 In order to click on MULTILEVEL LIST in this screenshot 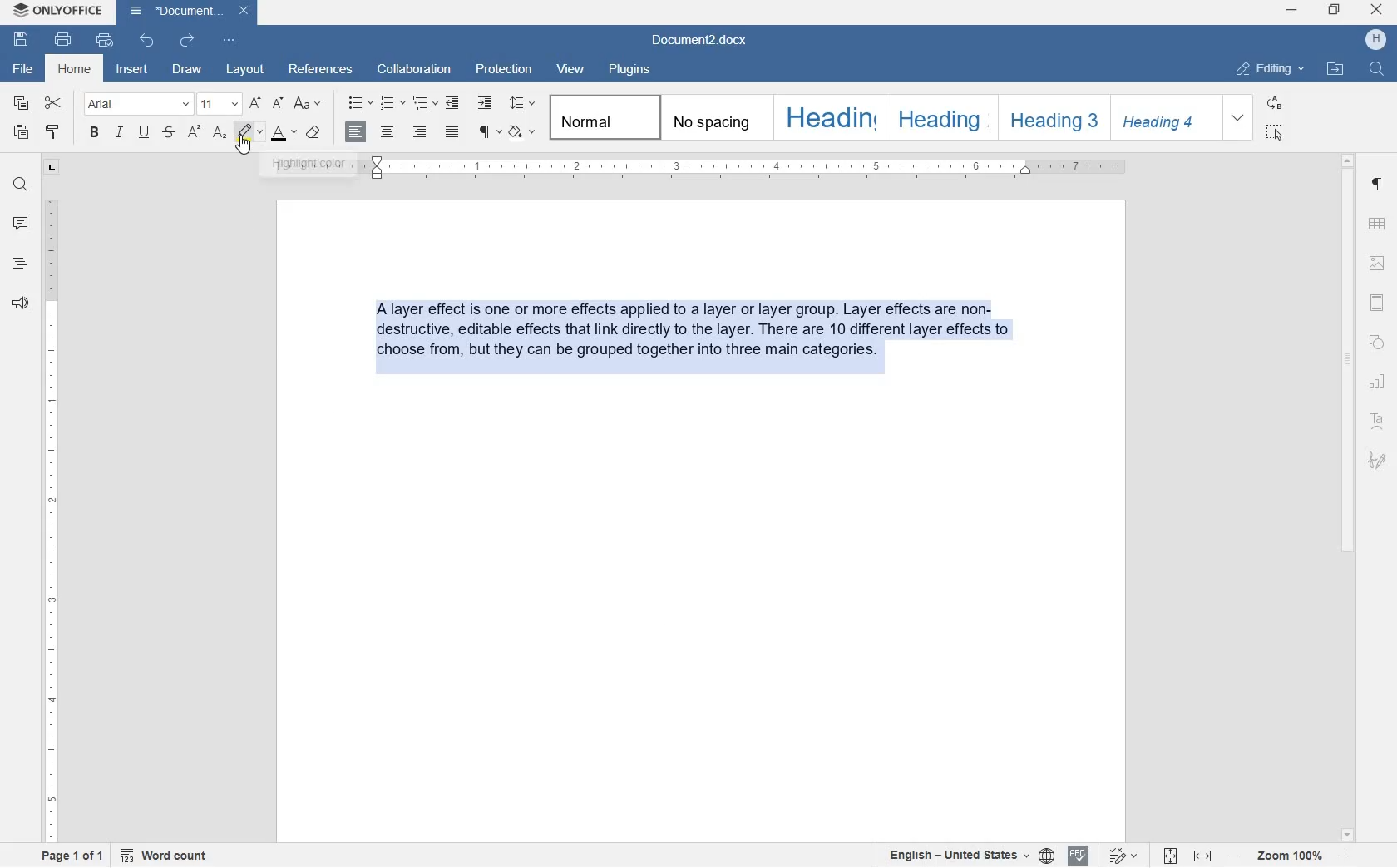, I will do `click(425, 104)`.